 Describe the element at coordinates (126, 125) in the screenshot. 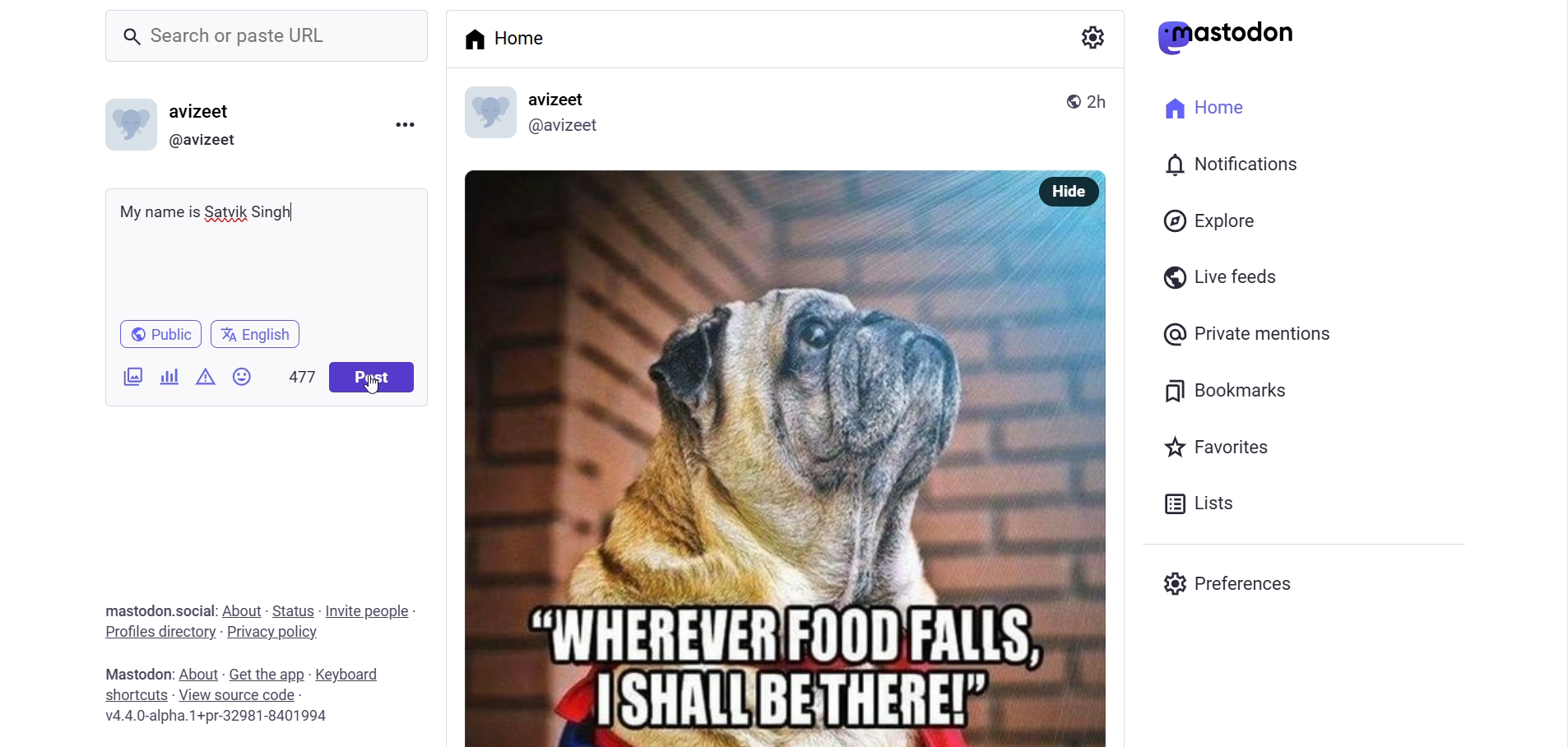

I see `logo` at that location.